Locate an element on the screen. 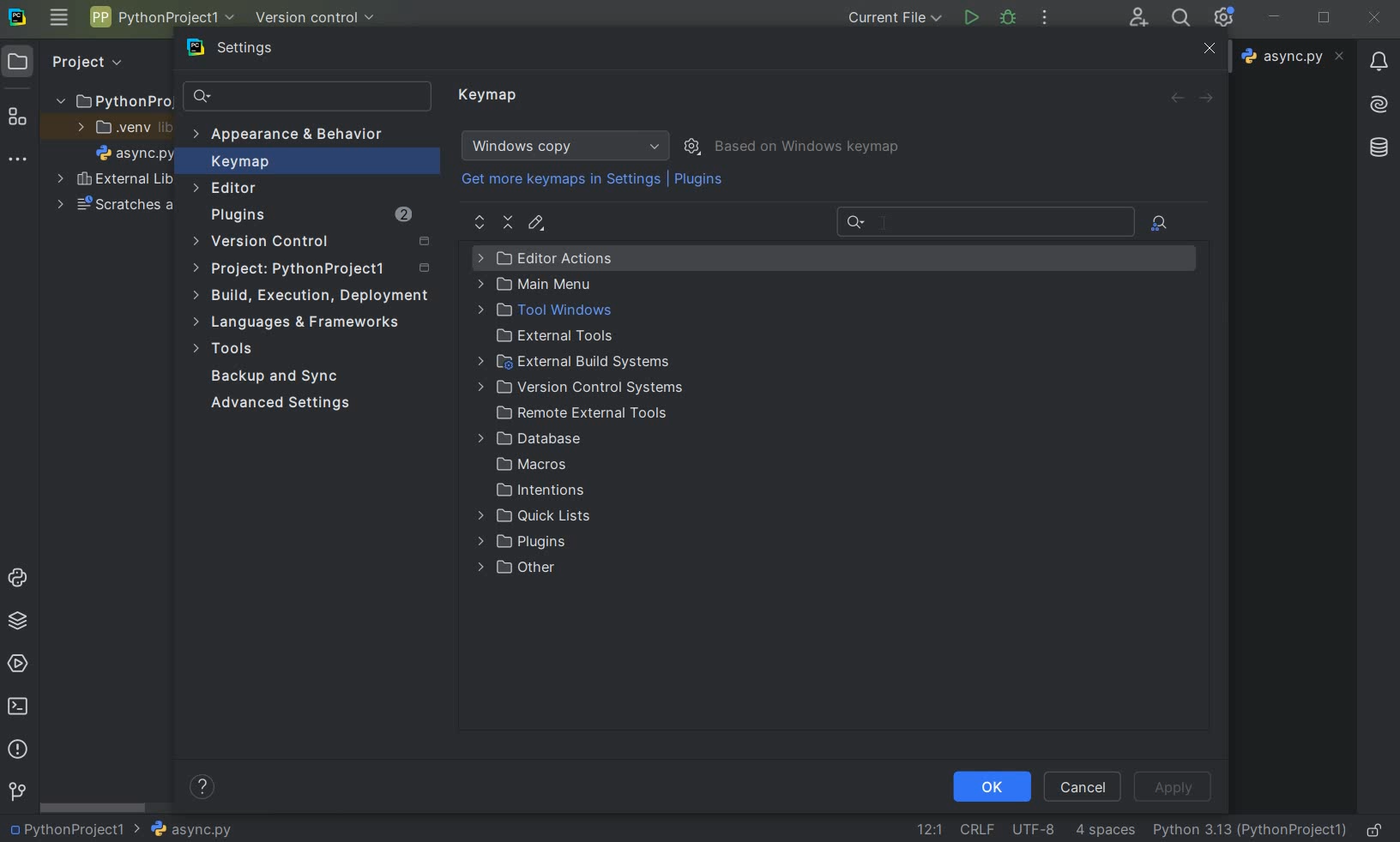 This screenshot has height=842, width=1400. ok is located at coordinates (991, 785).